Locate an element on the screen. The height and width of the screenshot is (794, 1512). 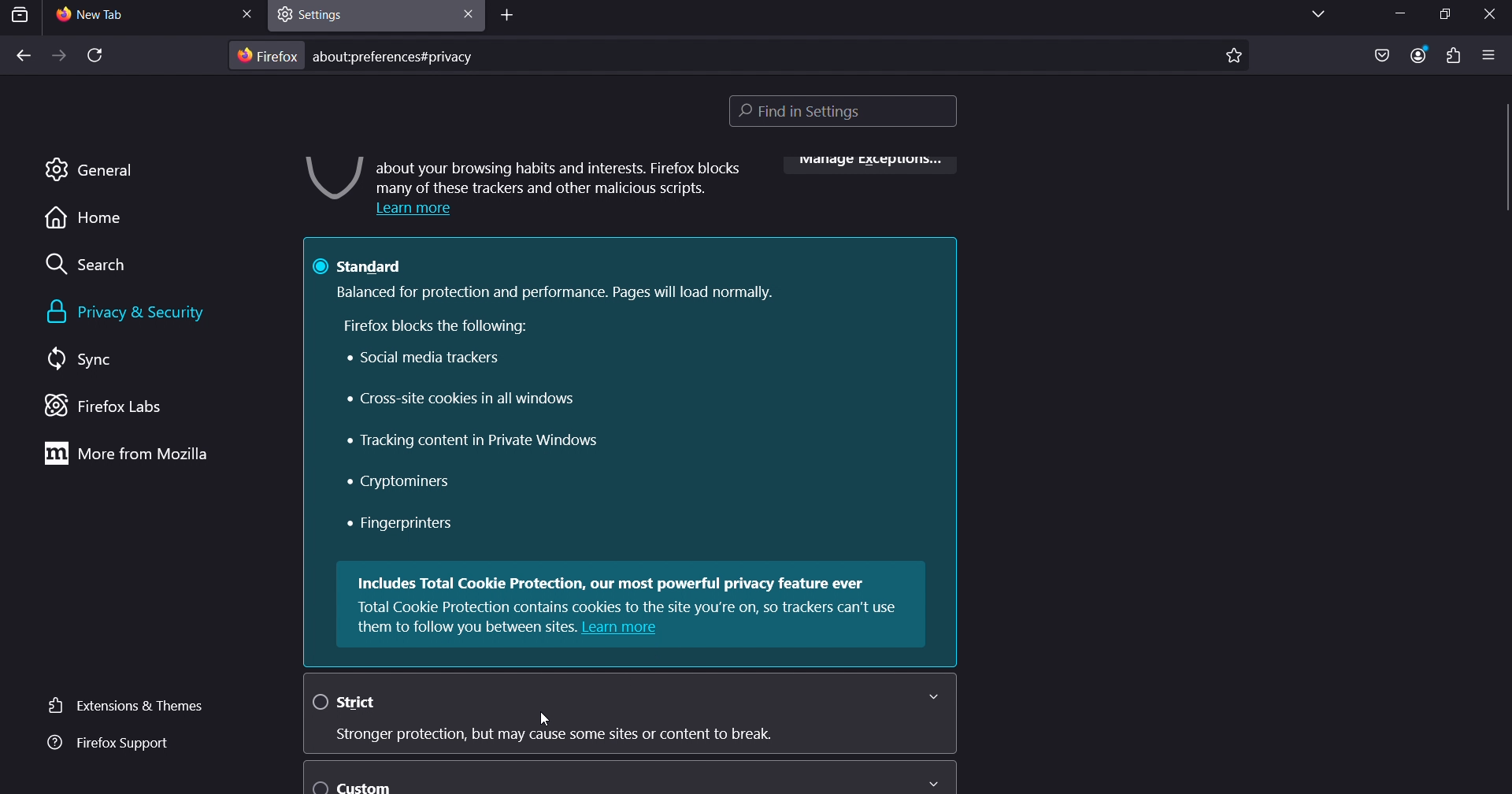
save as pocket is located at coordinates (1381, 56).